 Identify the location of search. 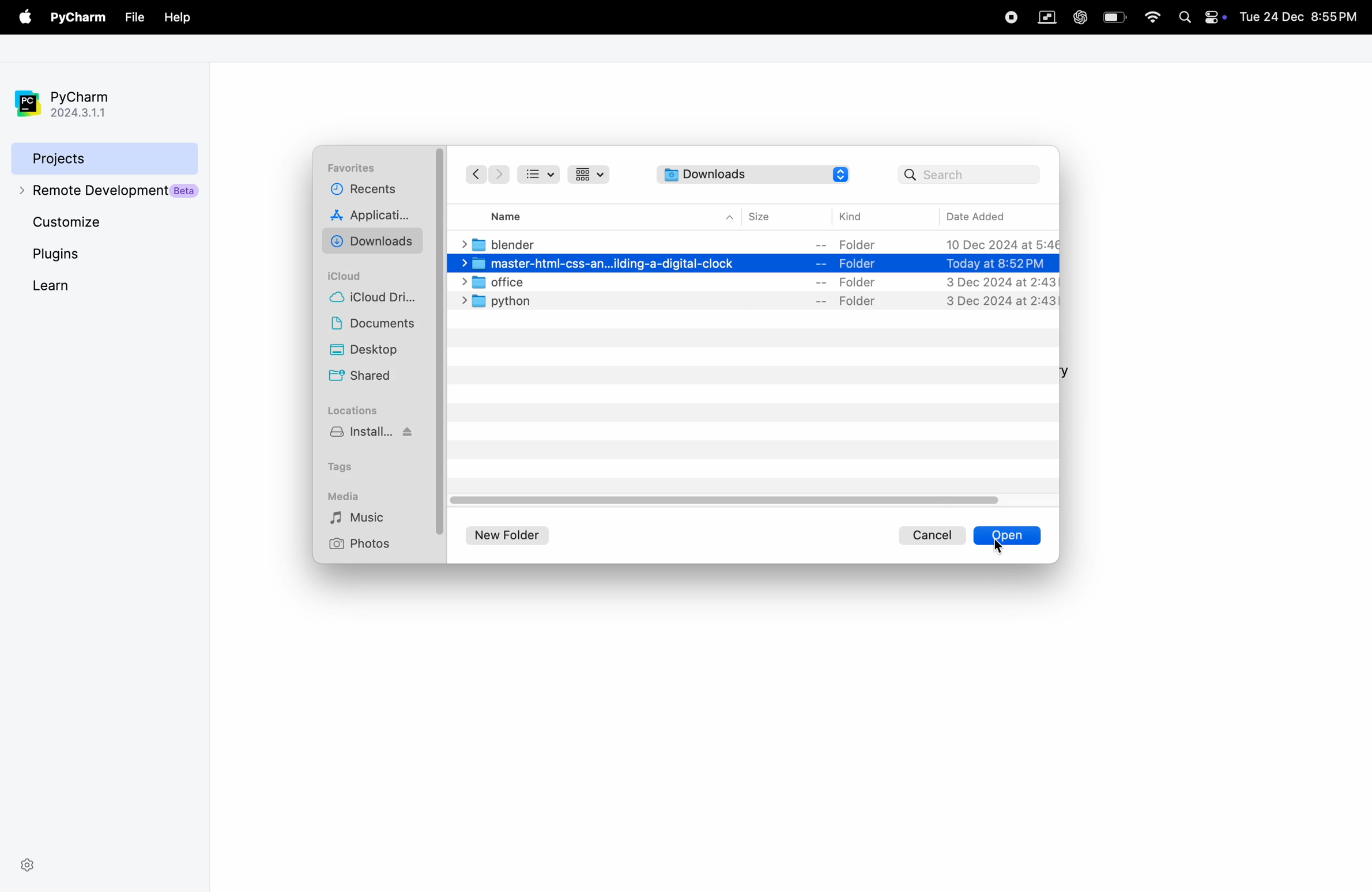
(969, 174).